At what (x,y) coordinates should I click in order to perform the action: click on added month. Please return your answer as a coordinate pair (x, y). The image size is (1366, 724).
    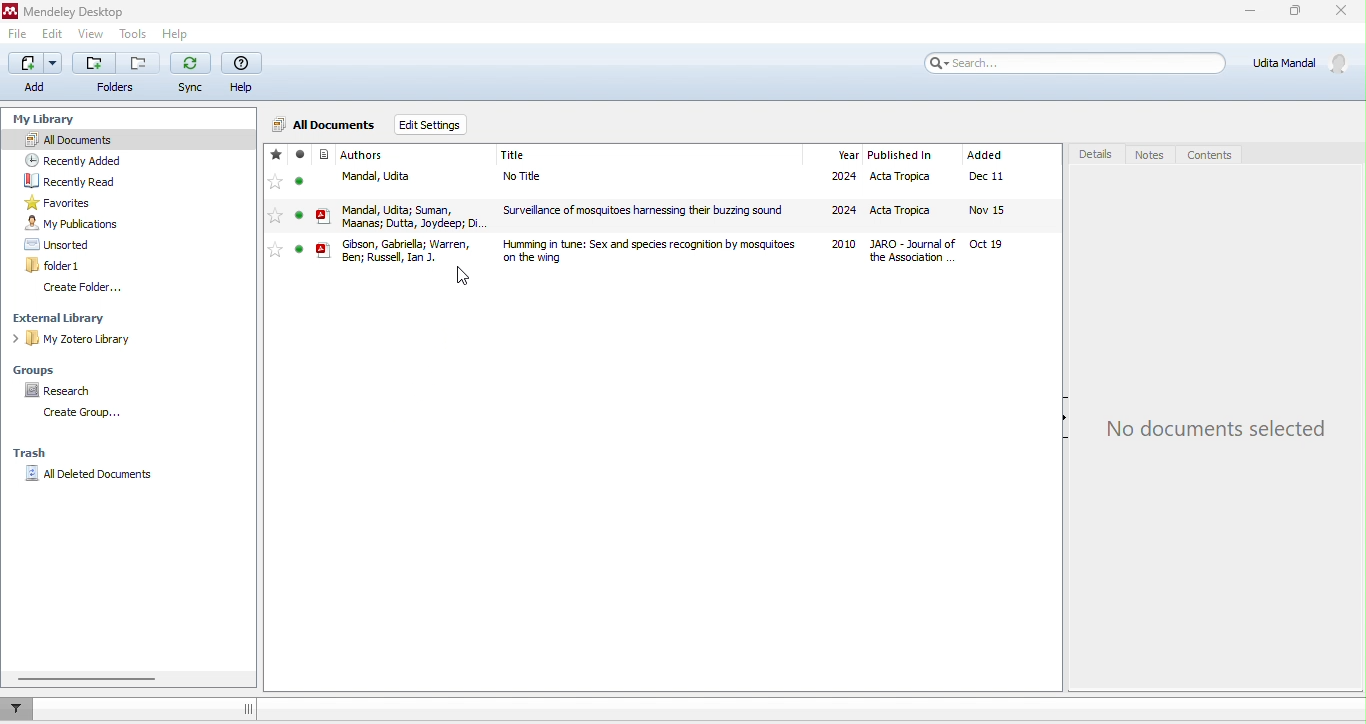
    Looking at the image, I should click on (984, 155).